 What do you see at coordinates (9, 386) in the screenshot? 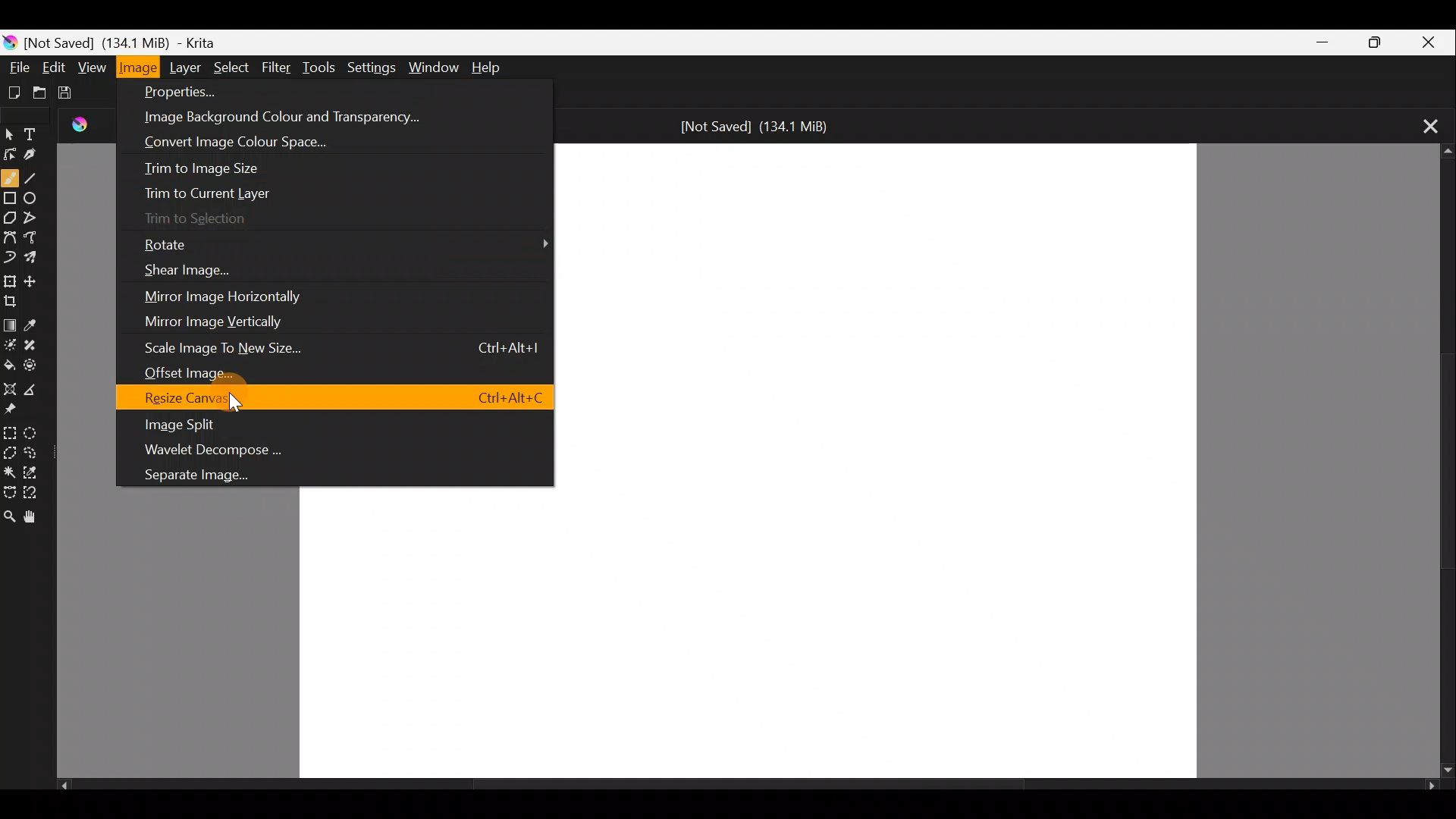
I see `Assistant tool` at bounding box center [9, 386].